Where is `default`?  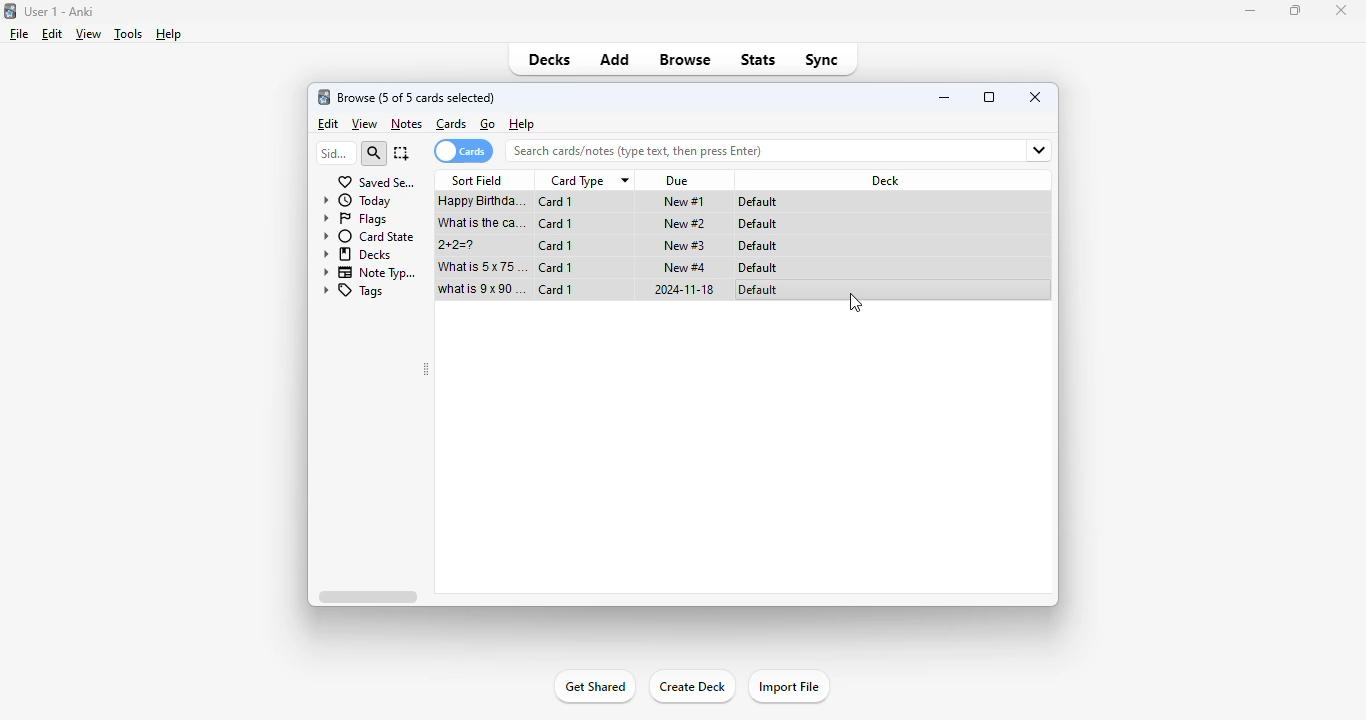
default is located at coordinates (758, 268).